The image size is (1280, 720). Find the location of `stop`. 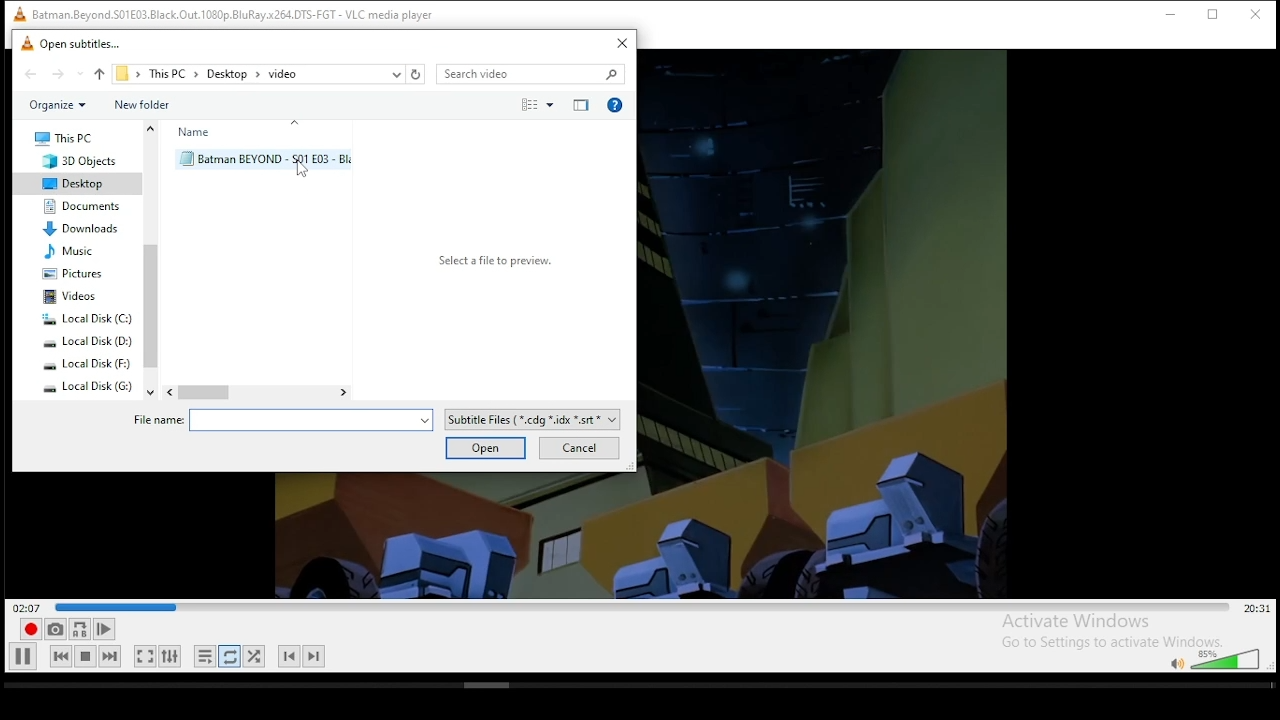

stop is located at coordinates (84, 656).